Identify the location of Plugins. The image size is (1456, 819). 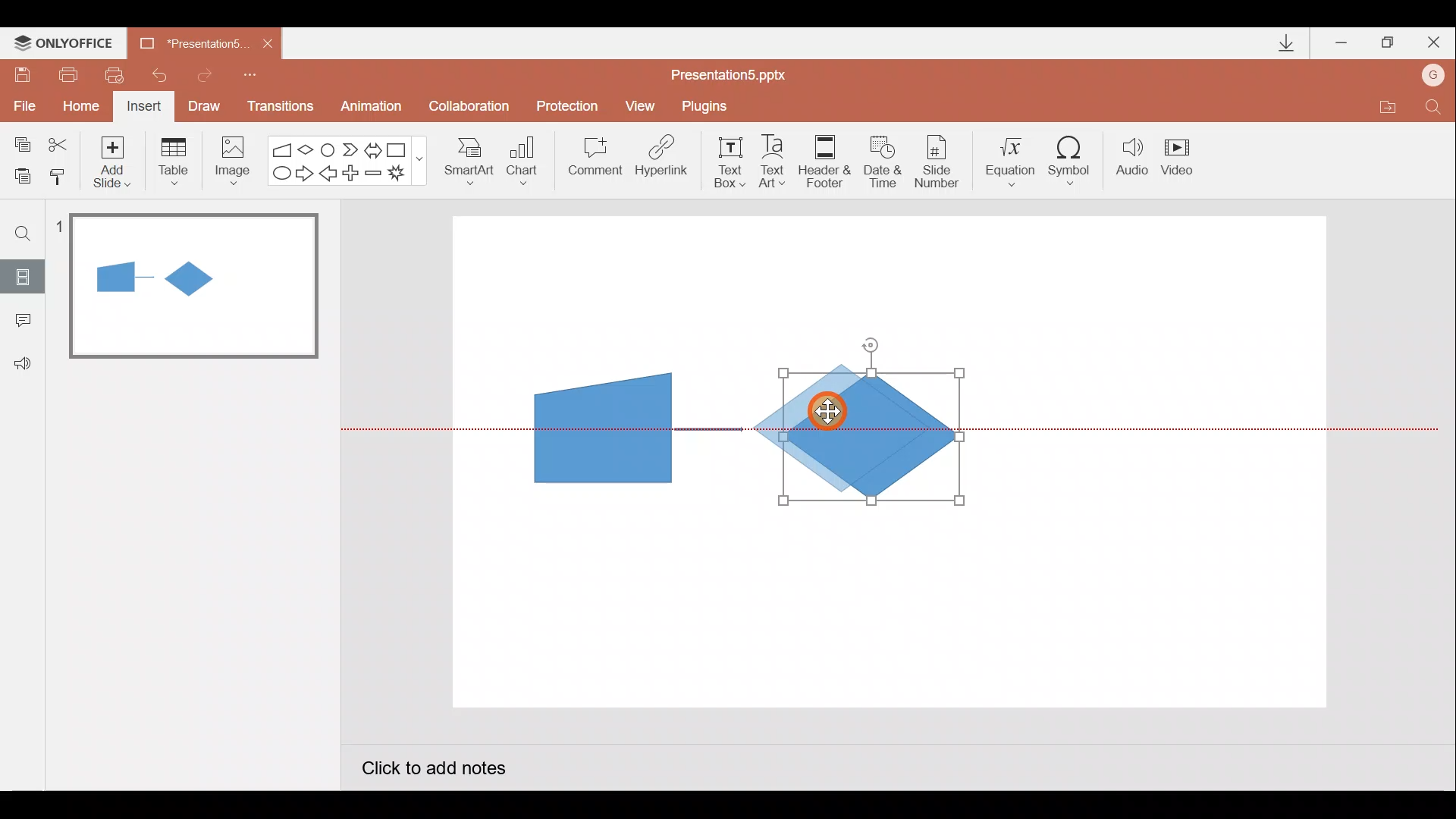
(708, 106).